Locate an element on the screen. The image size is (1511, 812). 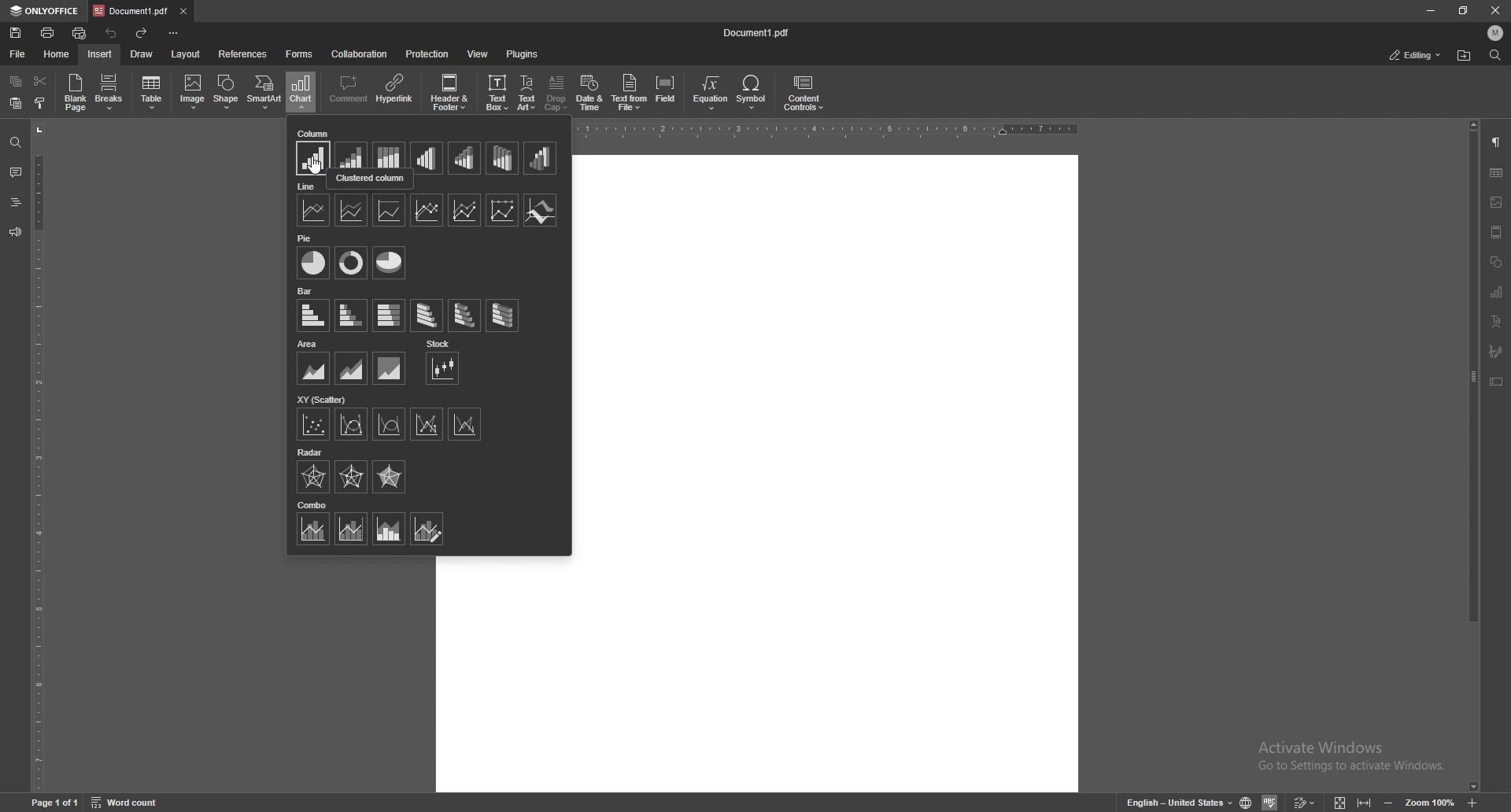
print is located at coordinates (49, 33).